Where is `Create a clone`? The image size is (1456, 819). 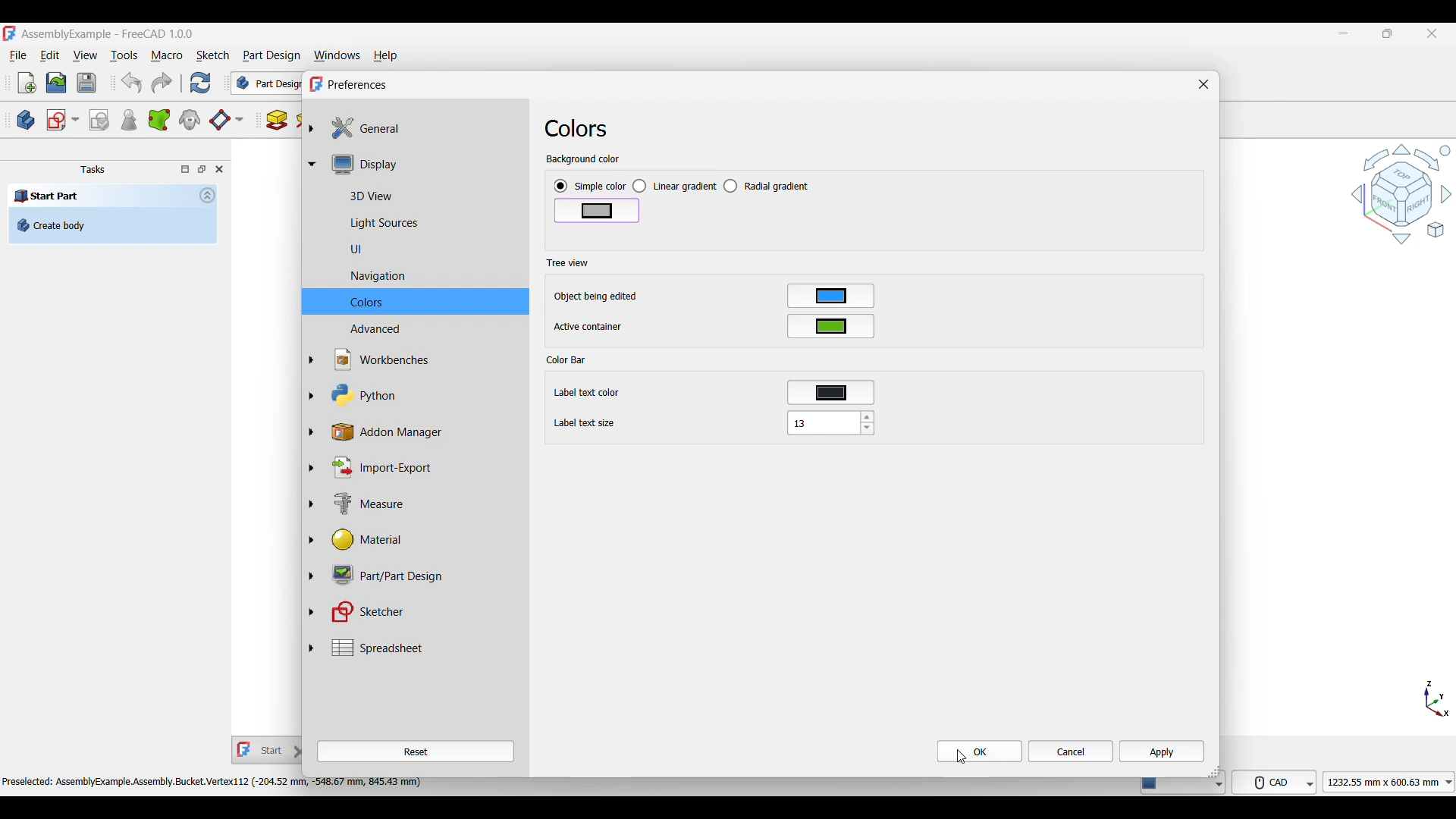 Create a clone is located at coordinates (190, 119).